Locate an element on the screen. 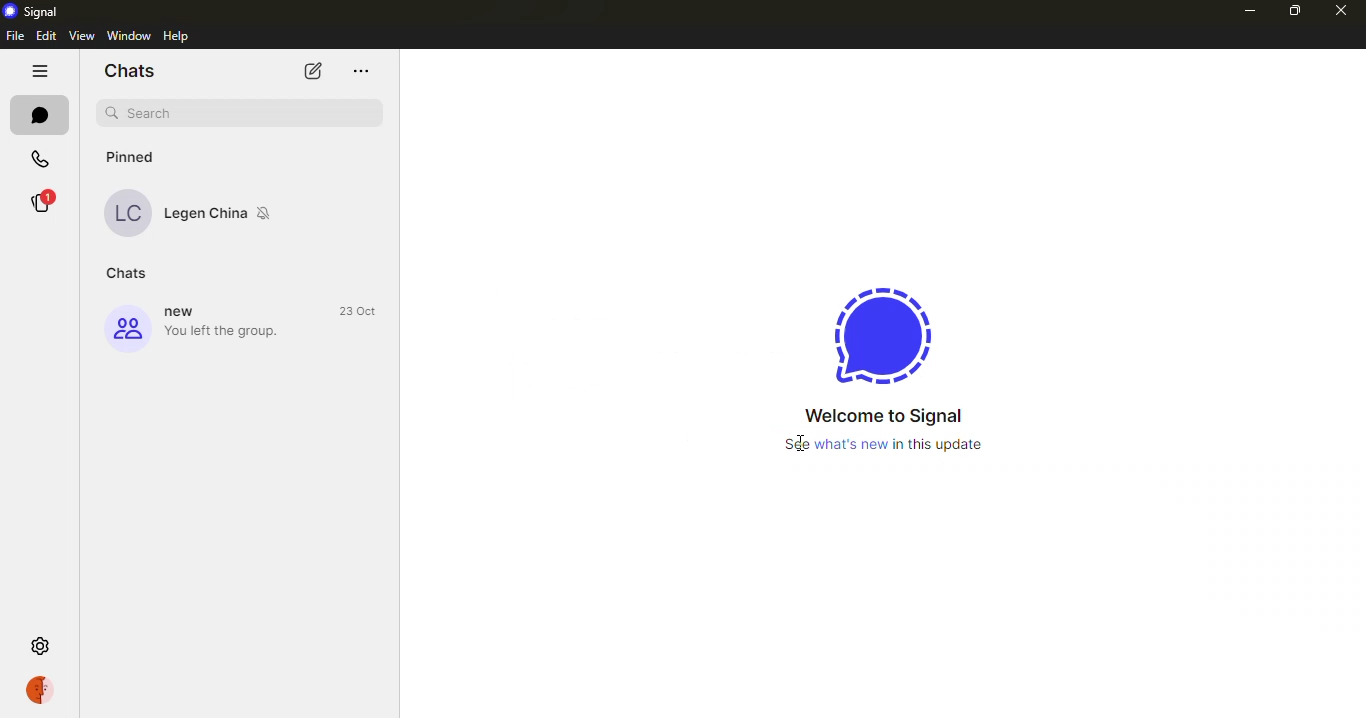  mute notifications is located at coordinates (268, 213).